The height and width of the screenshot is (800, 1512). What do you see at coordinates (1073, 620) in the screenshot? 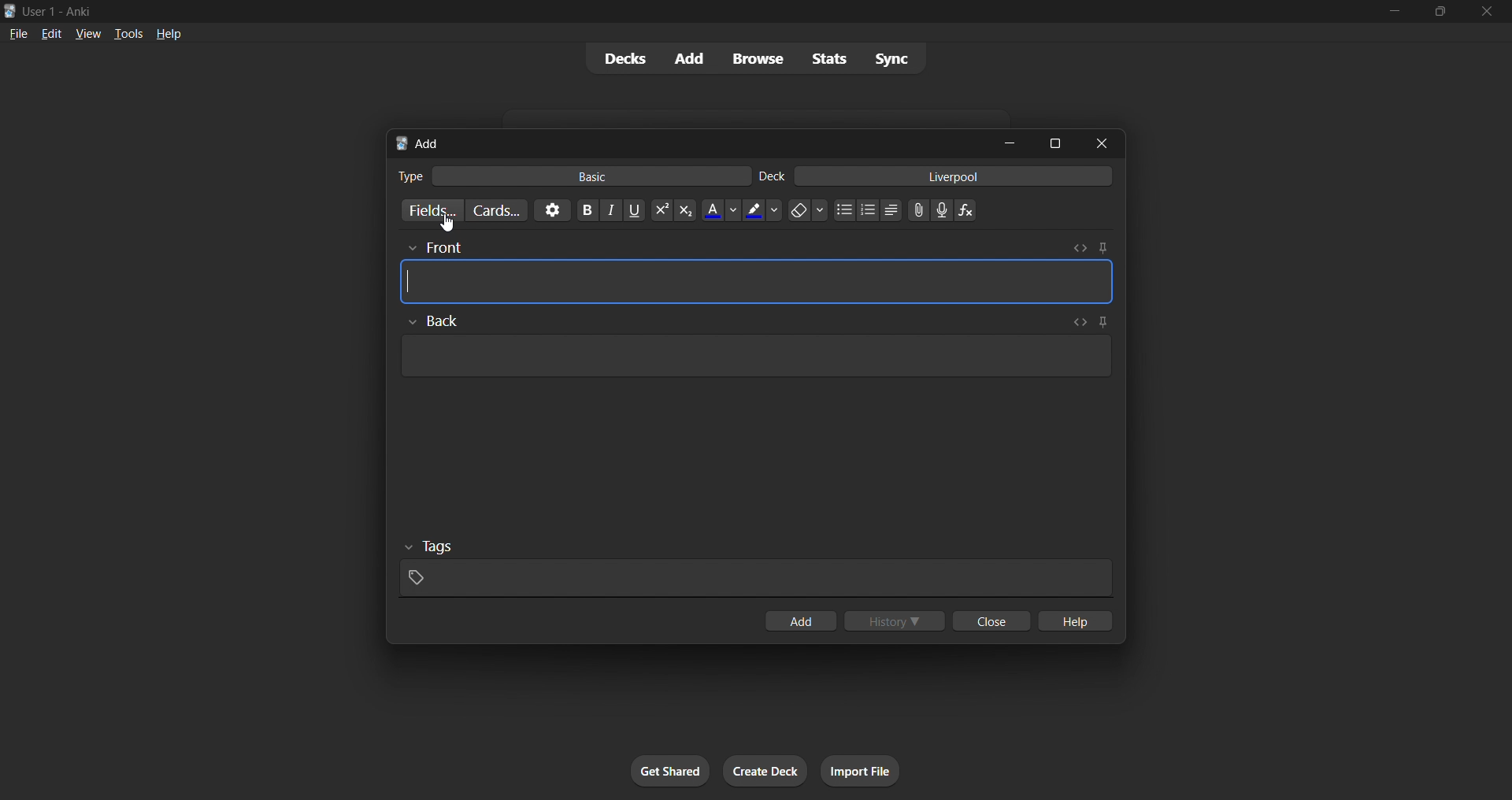
I see `help` at bounding box center [1073, 620].